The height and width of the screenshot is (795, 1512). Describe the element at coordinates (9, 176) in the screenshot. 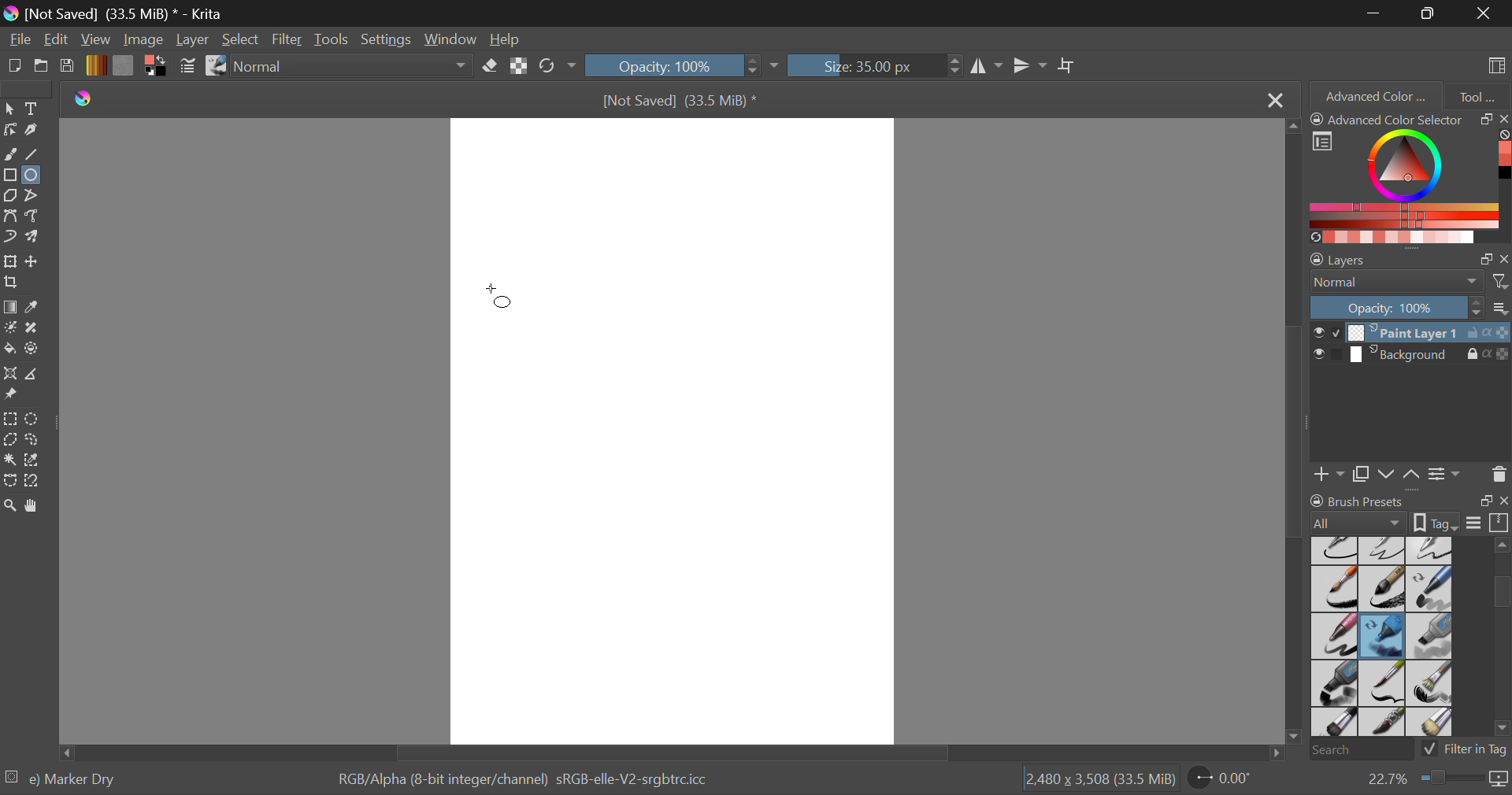

I see `Rectangle` at that location.